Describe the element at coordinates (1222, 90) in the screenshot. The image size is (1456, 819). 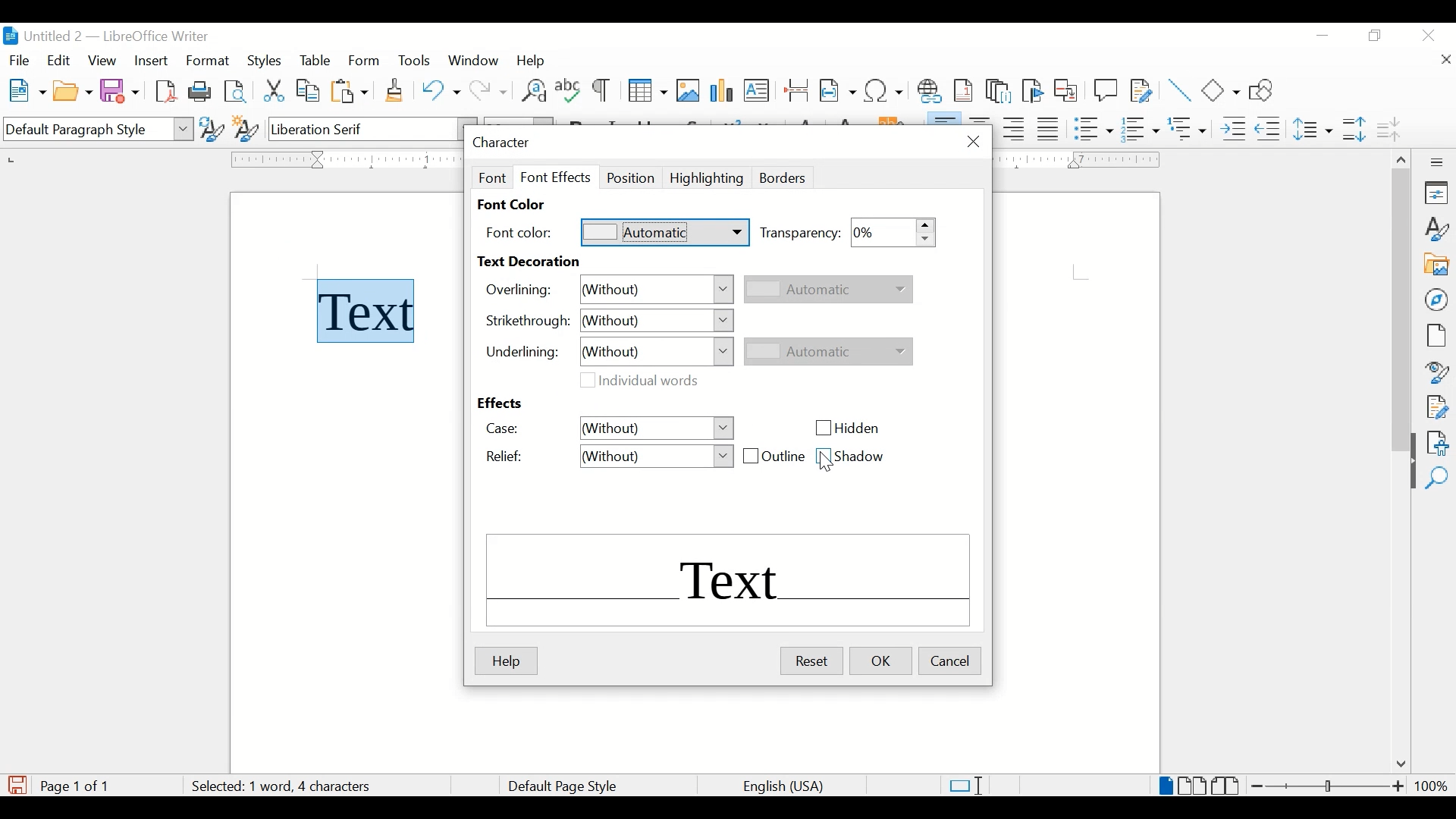
I see `basic shapes` at that location.